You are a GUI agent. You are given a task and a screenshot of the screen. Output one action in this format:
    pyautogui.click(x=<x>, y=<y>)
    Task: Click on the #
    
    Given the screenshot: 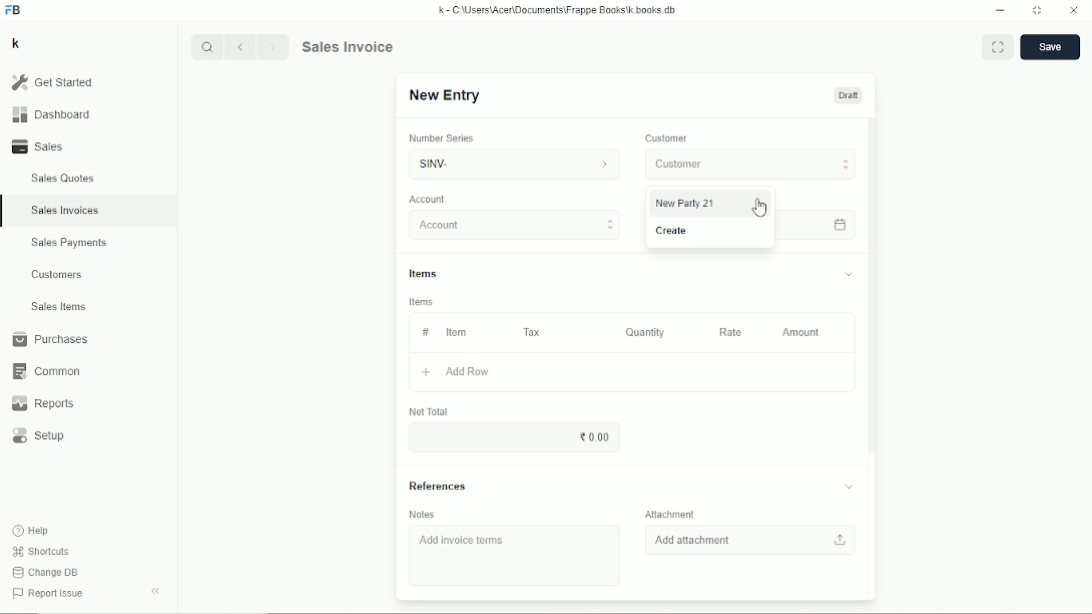 What is the action you would take?
    pyautogui.click(x=424, y=332)
    